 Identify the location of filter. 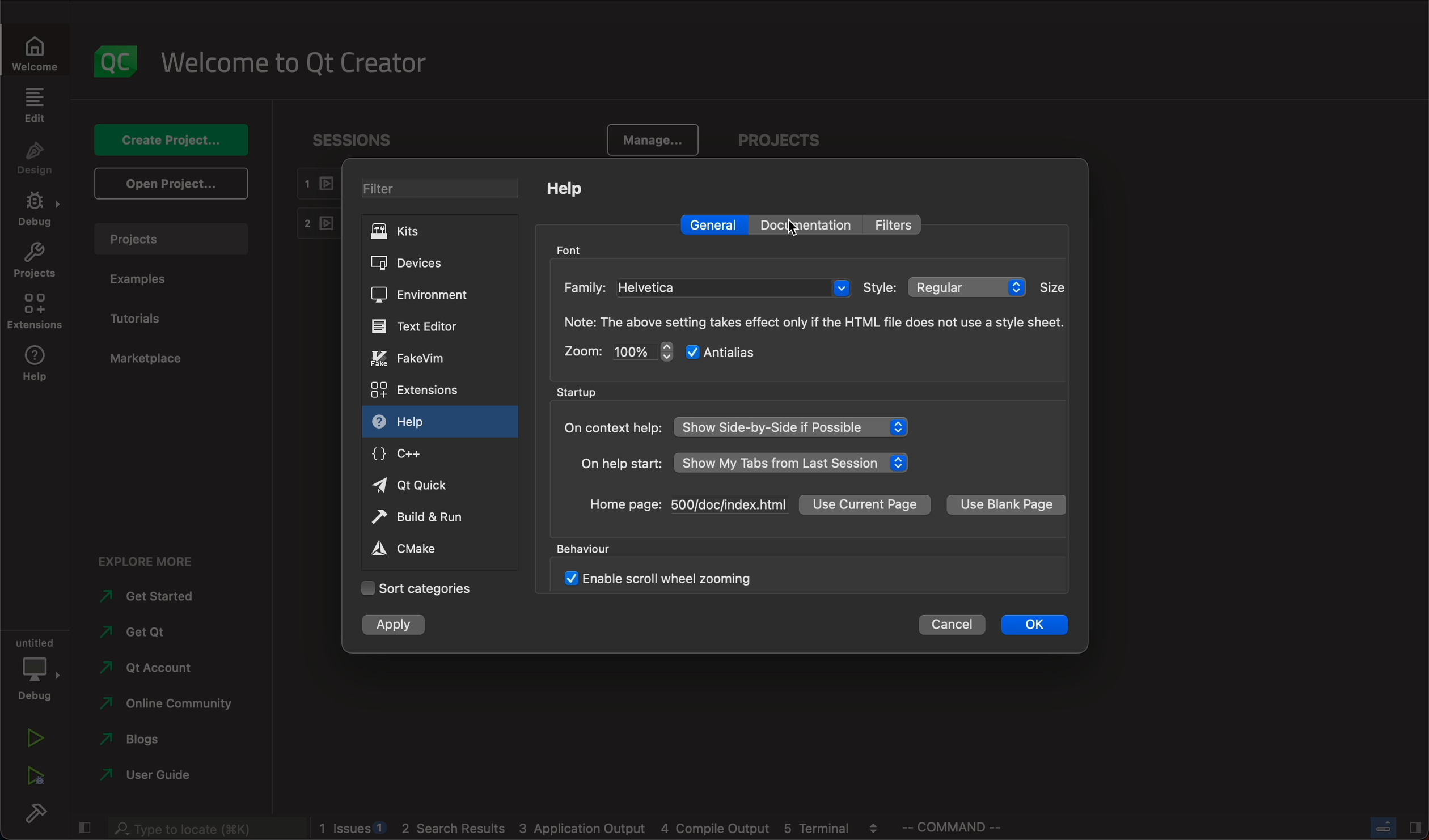
(443, 188).